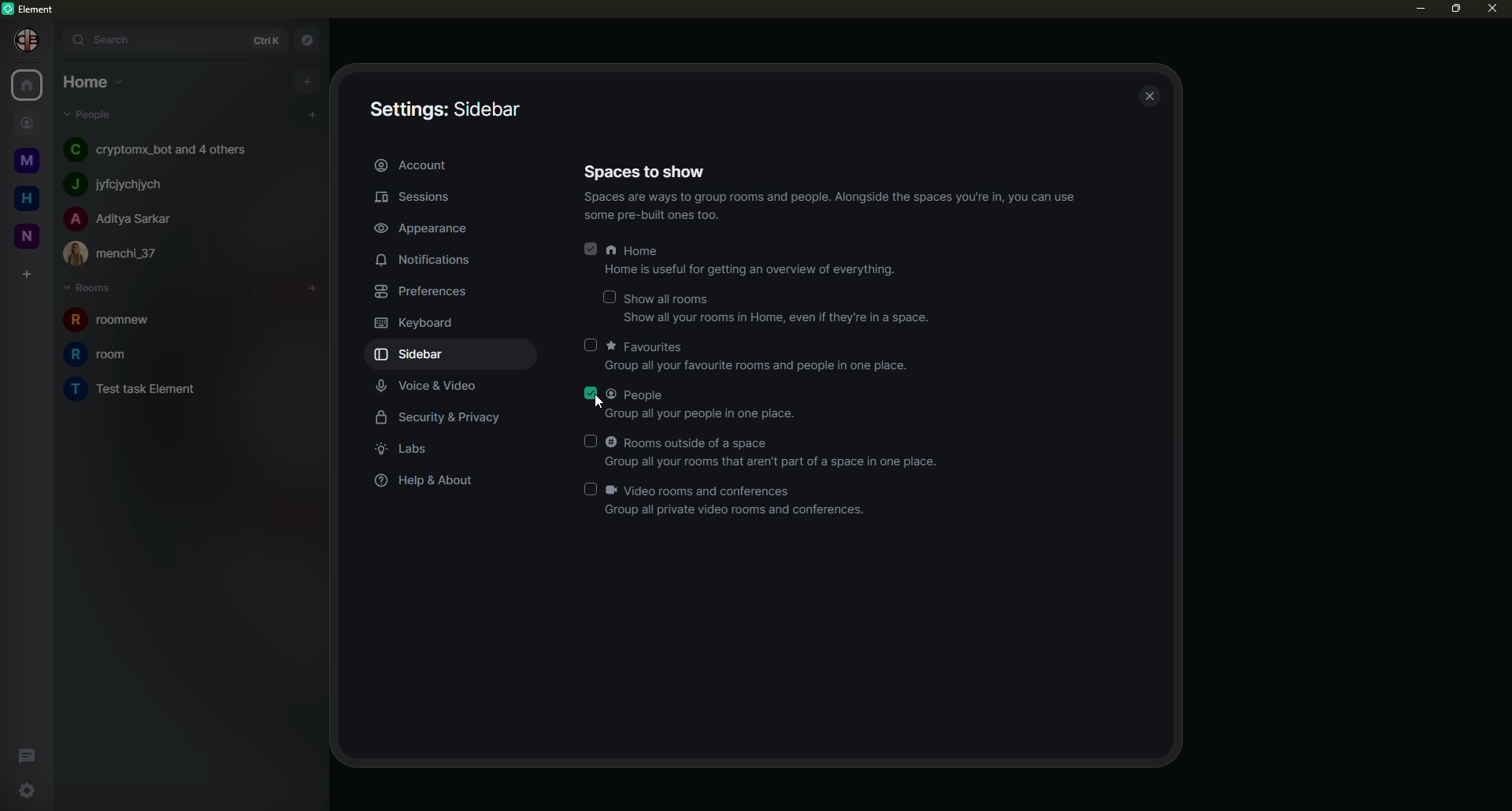 Image resolution: width=1512 pixels, height=811 pixels. What do you see at coordinates (88, 80) in the screenshot?
I see `home` at bounding box center [88, 80].